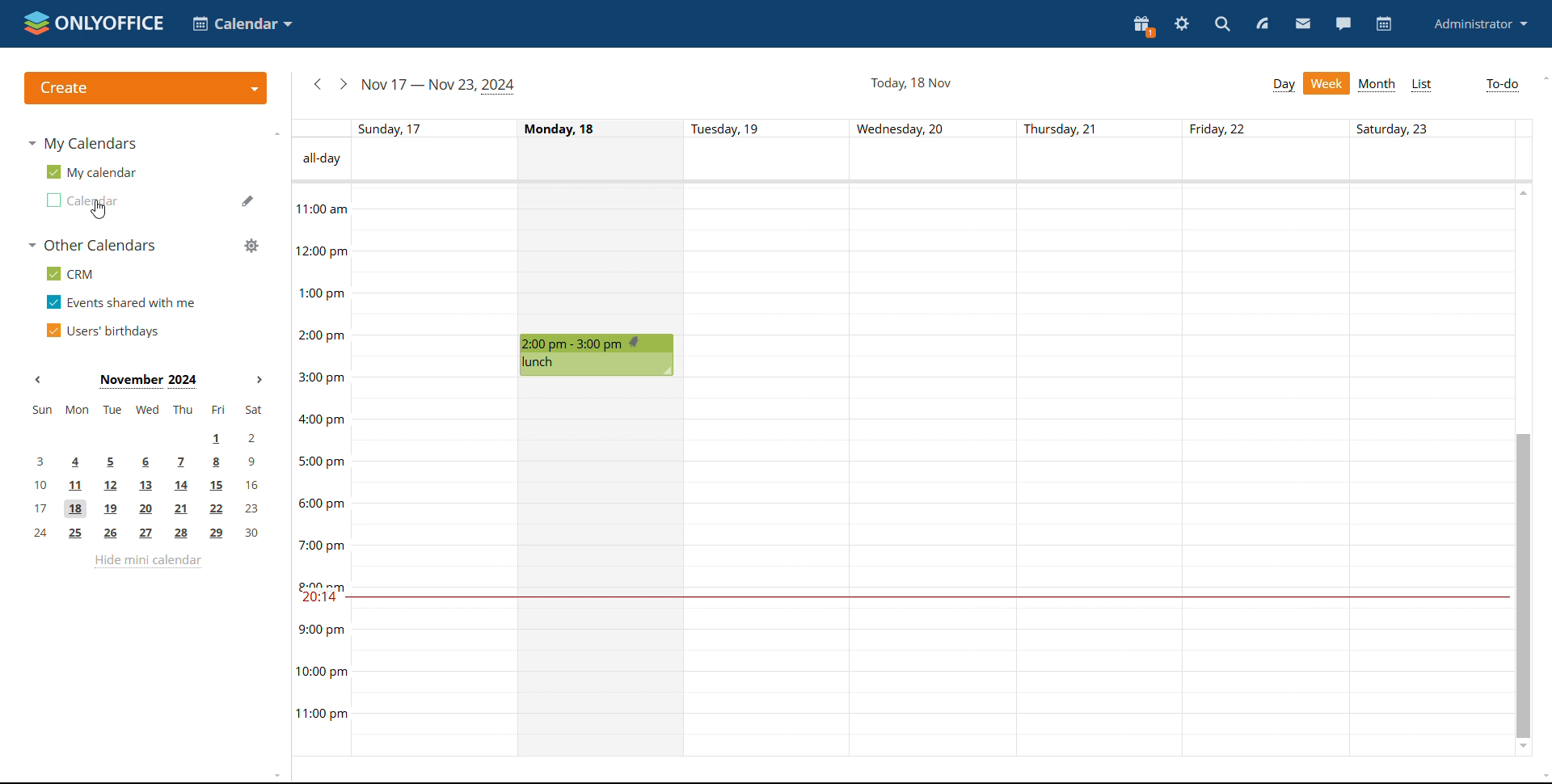 The width and height of the screenshot is (1552, 784). I want to click on week view, so click(1326, 83).